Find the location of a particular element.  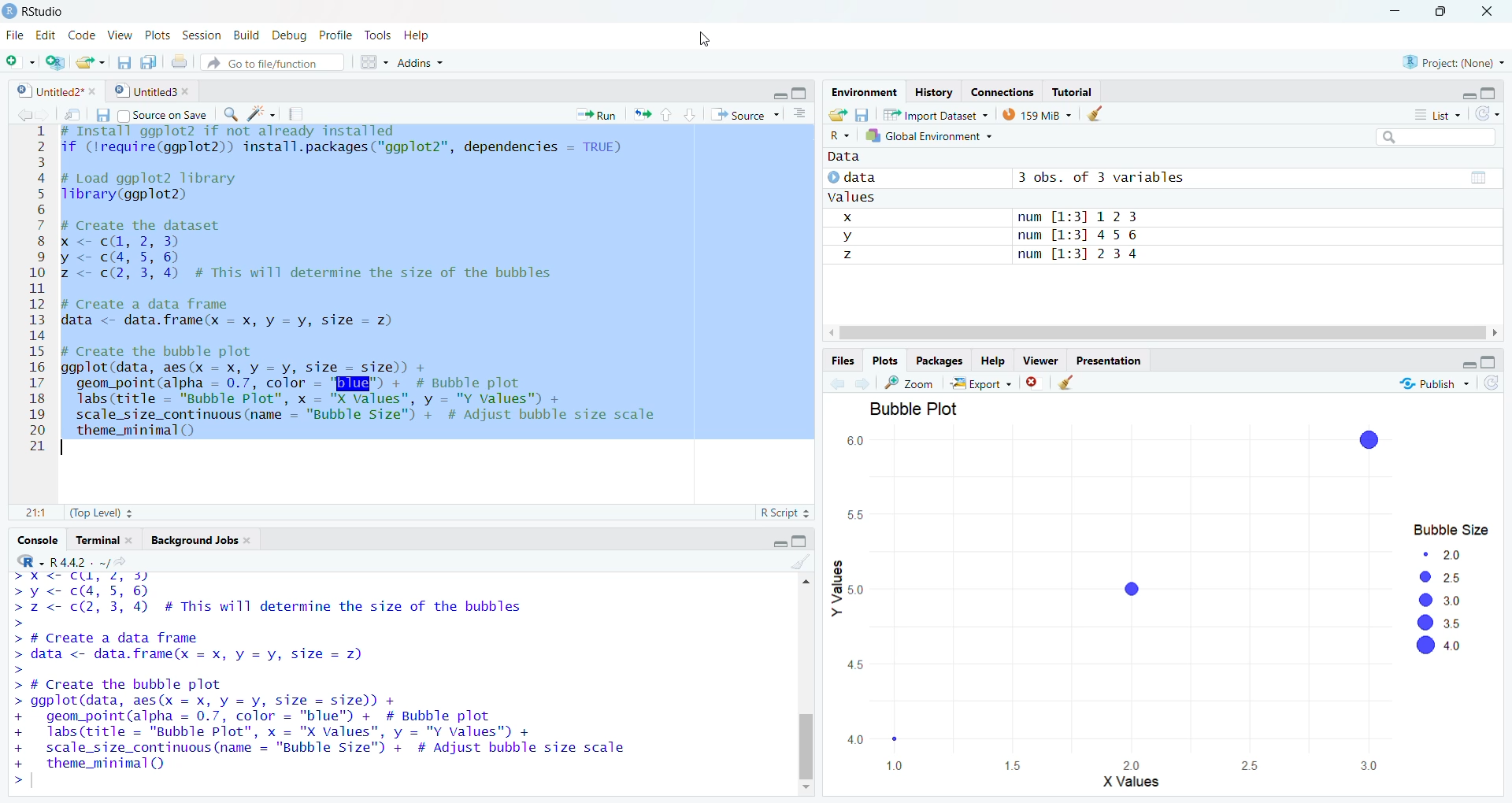

New file is located at coordinates (17, 57).